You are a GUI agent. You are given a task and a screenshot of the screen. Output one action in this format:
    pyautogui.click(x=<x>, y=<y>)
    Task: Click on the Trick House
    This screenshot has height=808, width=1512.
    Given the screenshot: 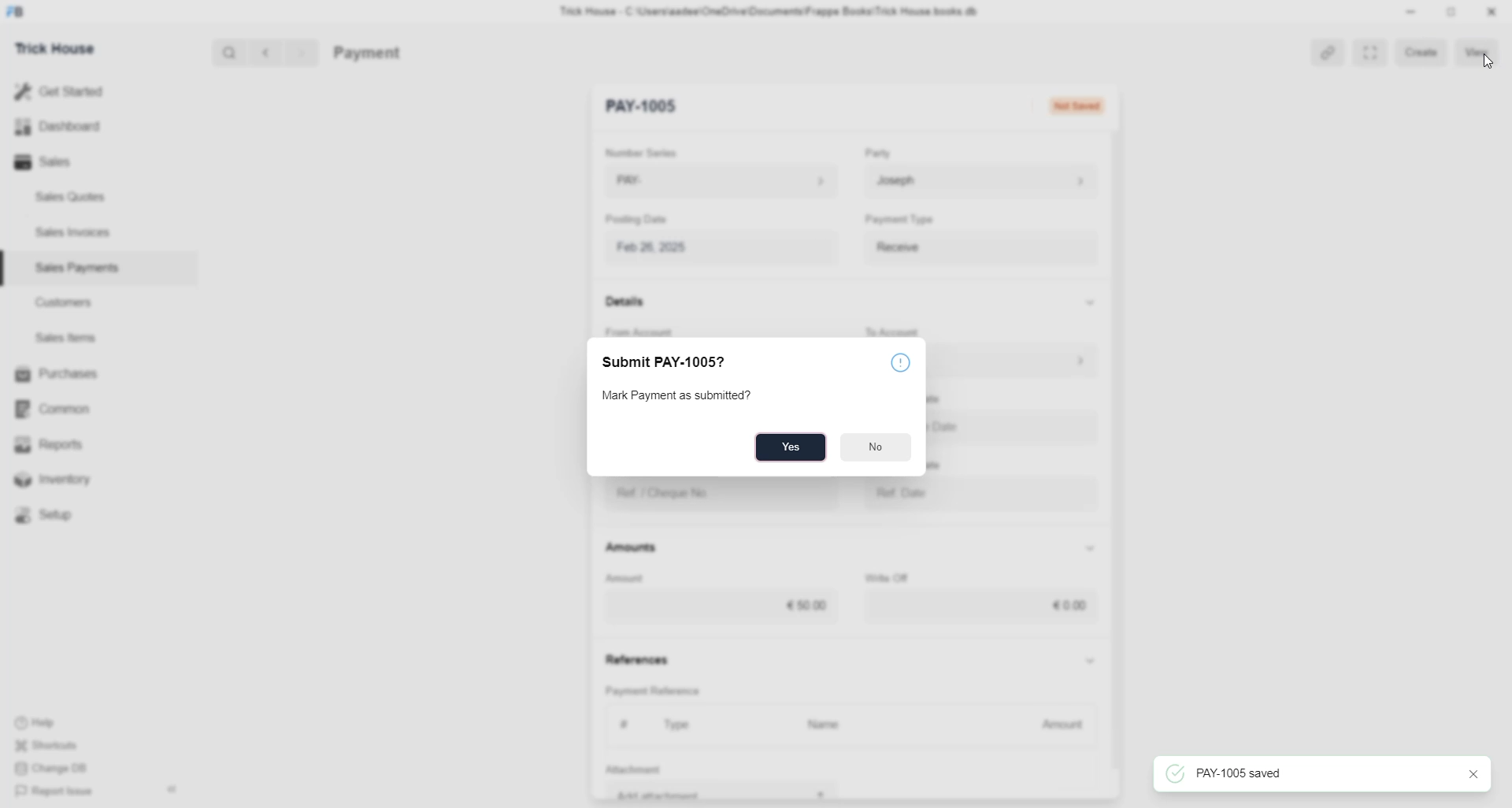 What is the action you would take?
    pyautogui.click(x=54, y=50)
    